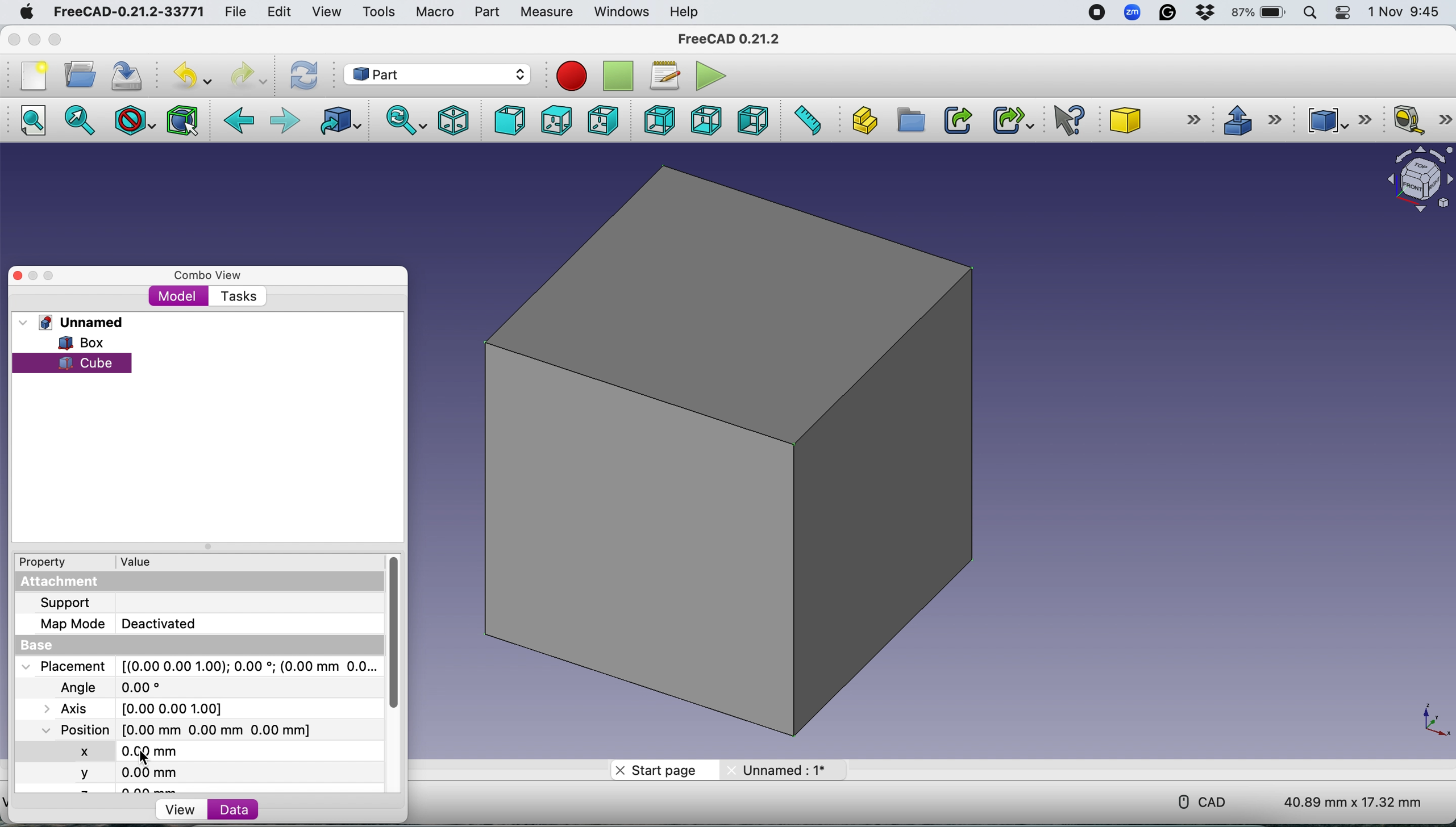  Describe the element at coordinates (1095, 13) in the screenshot. I see `screen recorder` at that location.